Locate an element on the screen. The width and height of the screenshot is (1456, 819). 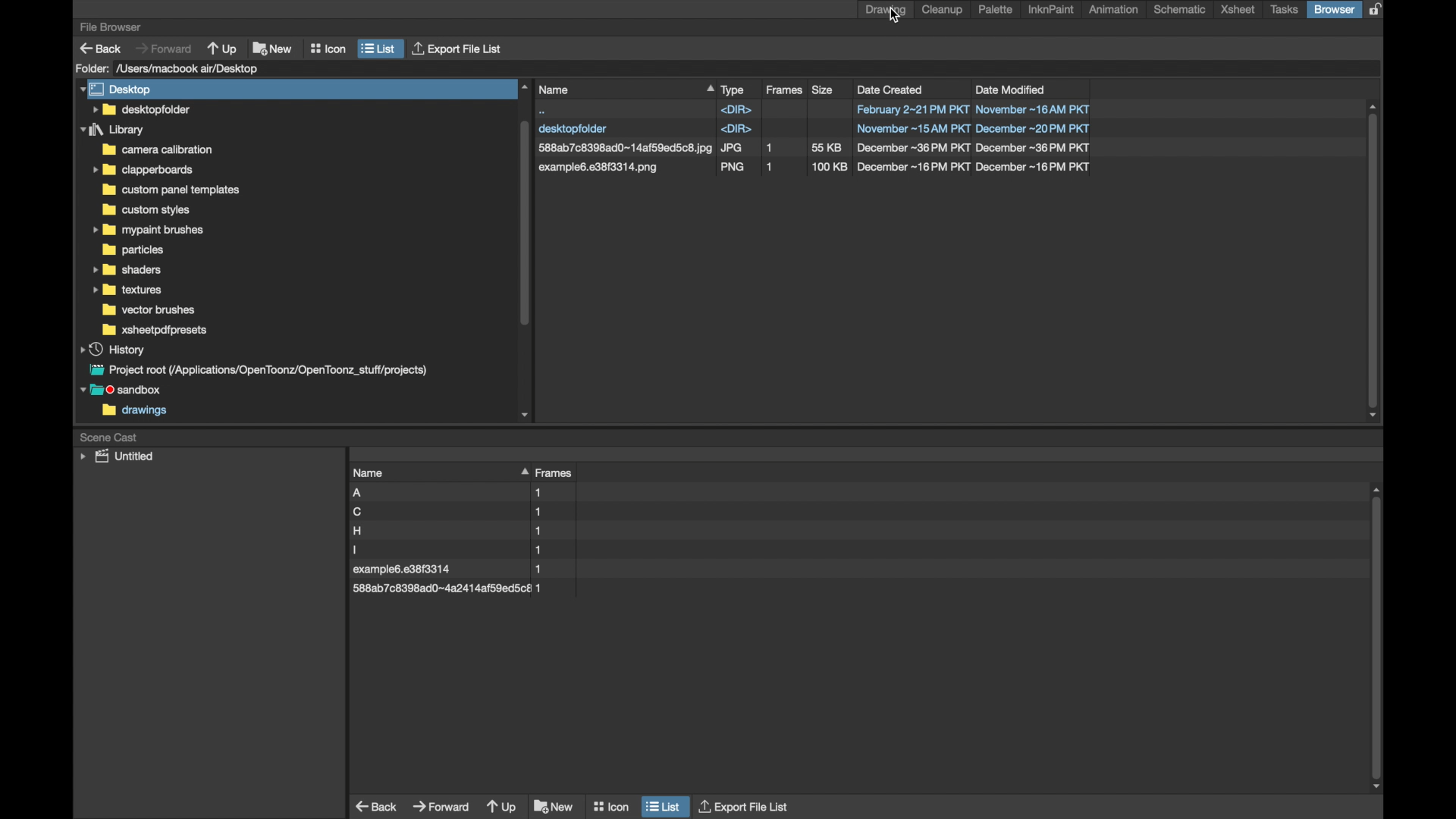
icon is located at coordinates (328, 49).